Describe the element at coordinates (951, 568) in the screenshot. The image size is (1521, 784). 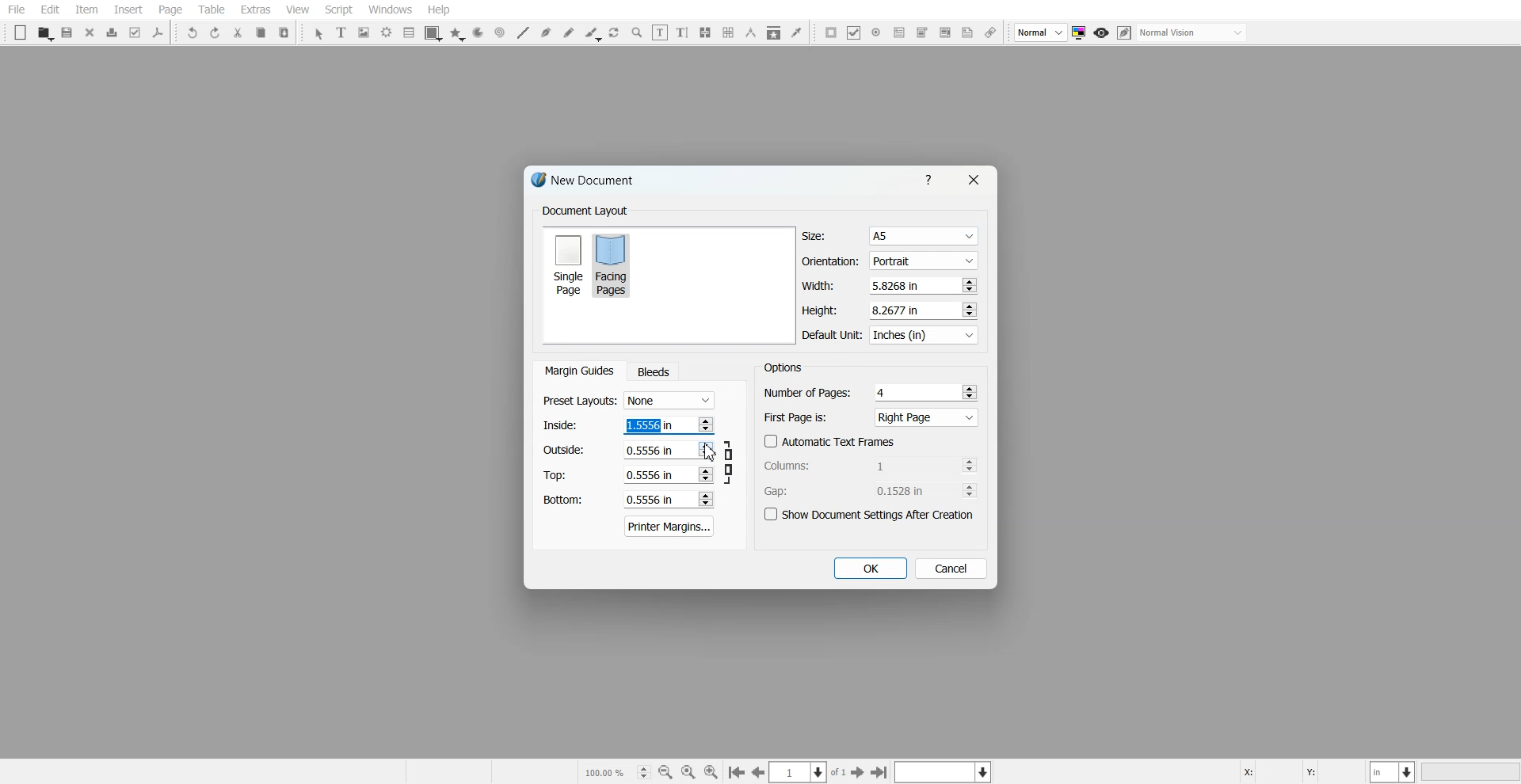
I see `Cancel` at that location.